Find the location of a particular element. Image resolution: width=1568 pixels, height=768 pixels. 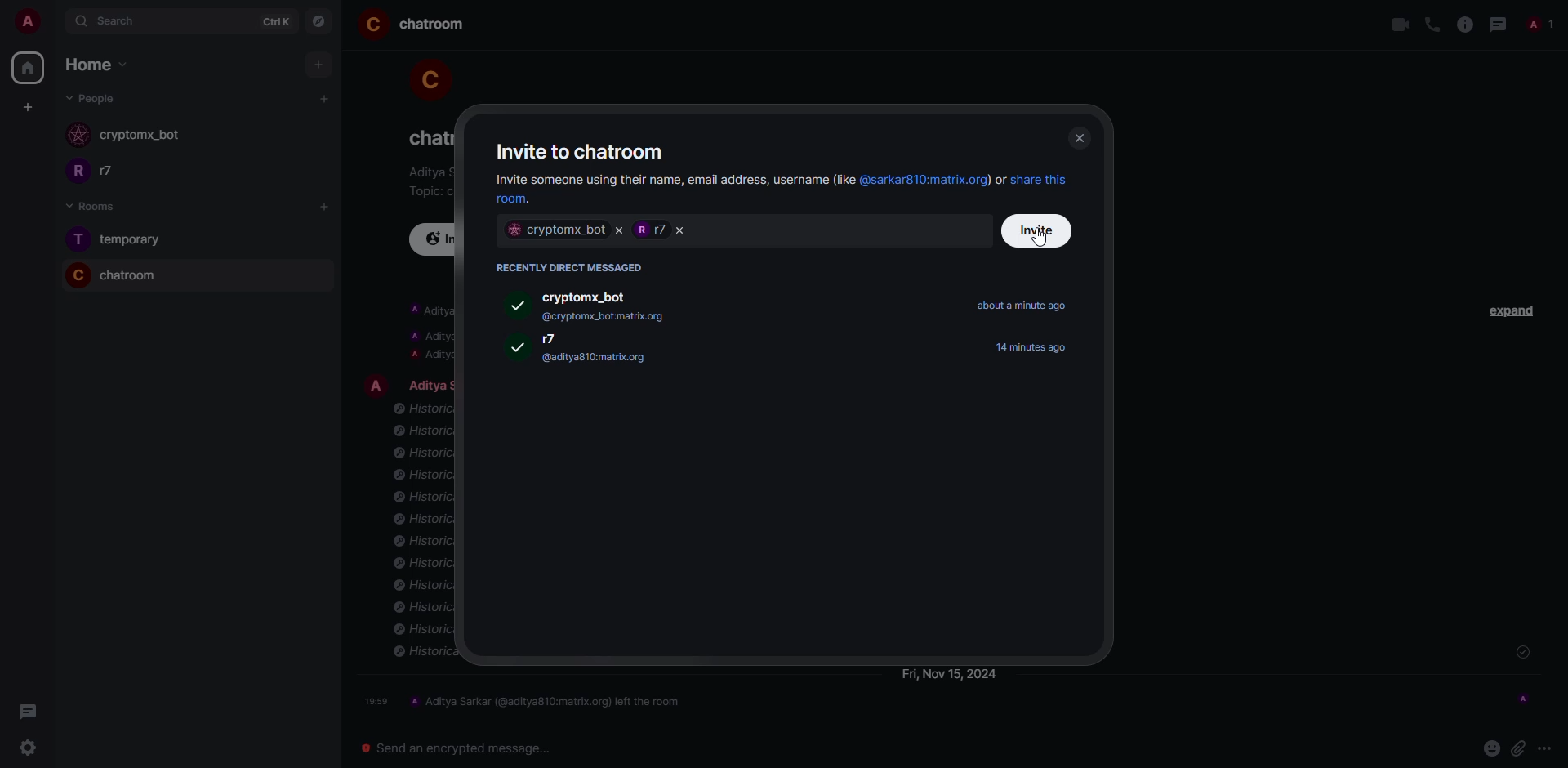

hyperlinks is located at coordinates (965, 181).